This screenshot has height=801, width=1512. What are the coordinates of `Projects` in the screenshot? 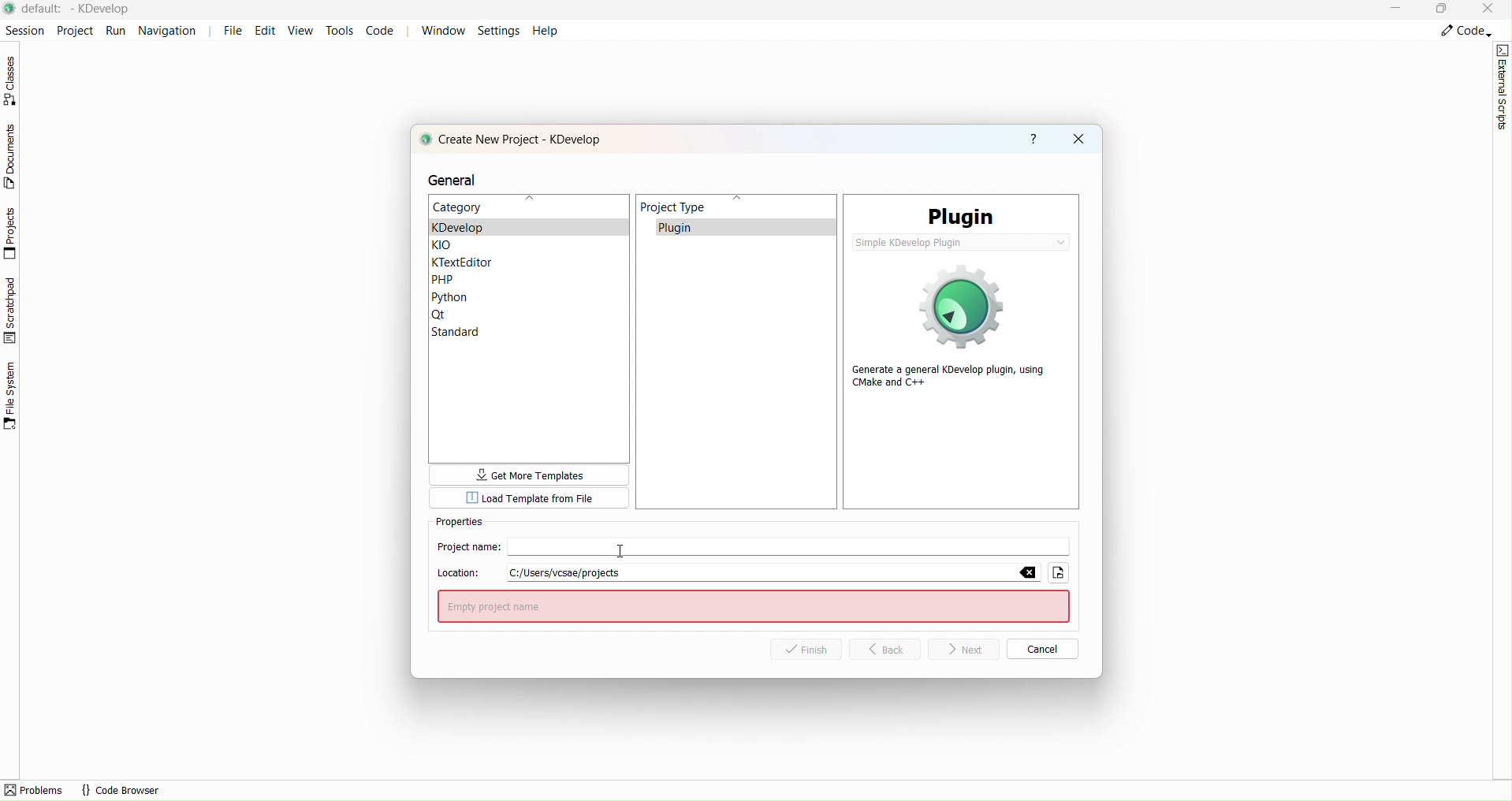 It's located at (13, 233).